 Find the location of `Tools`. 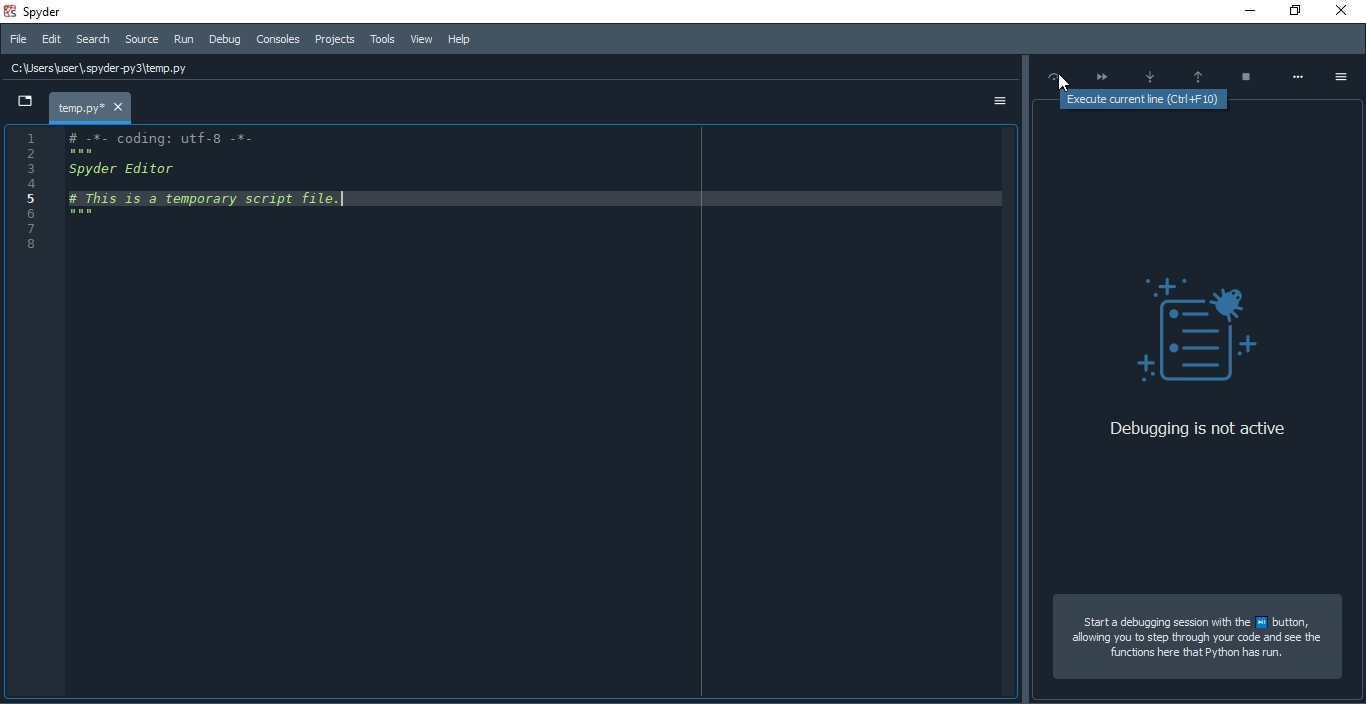

Tools is located at coordinates (380, 39).